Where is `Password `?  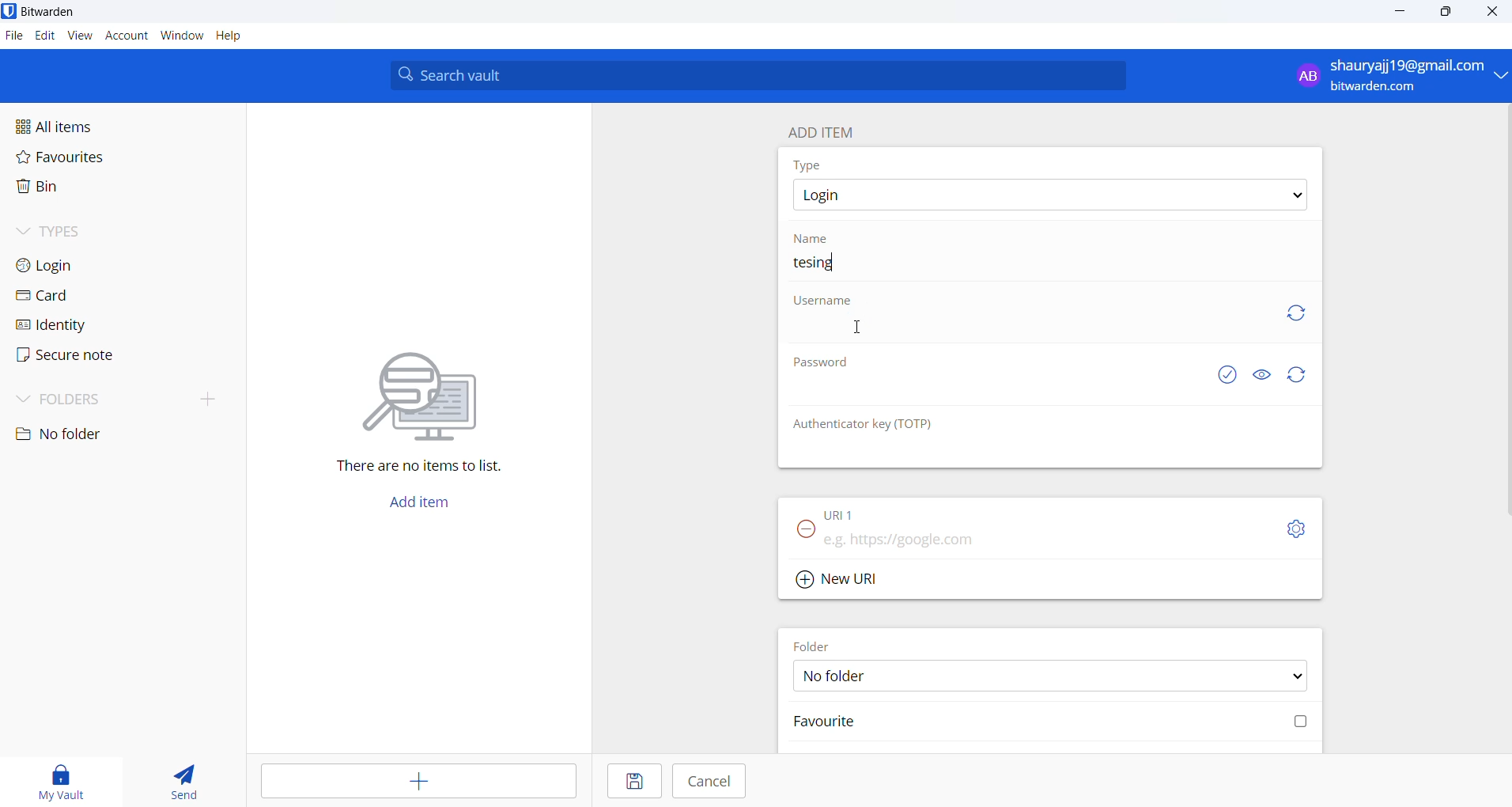 Password  is located at coordinates (826, 366).